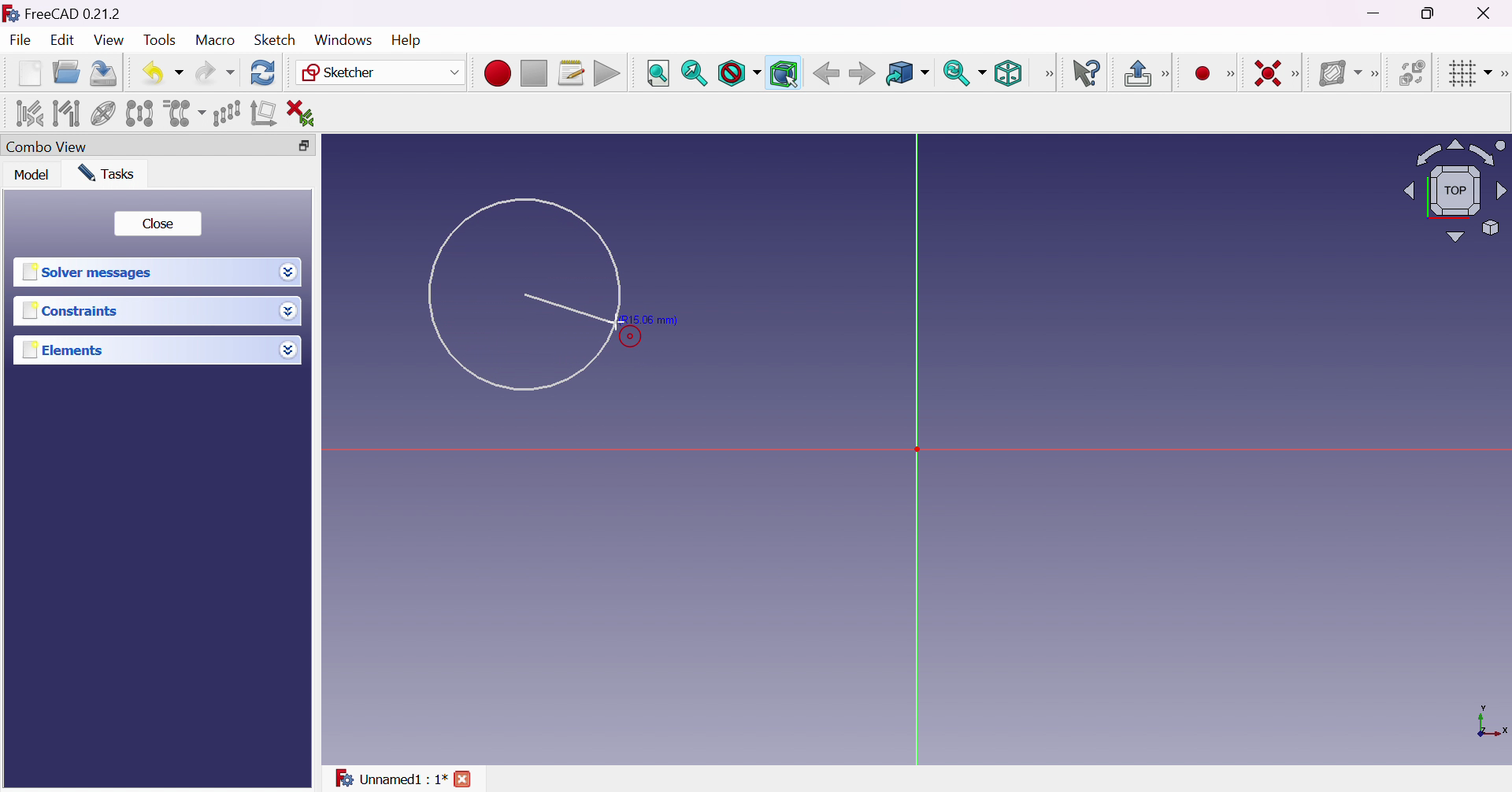  Describe the element at coordinates (497, 71) in the screenshot. I see `Macro recording...` at that location.